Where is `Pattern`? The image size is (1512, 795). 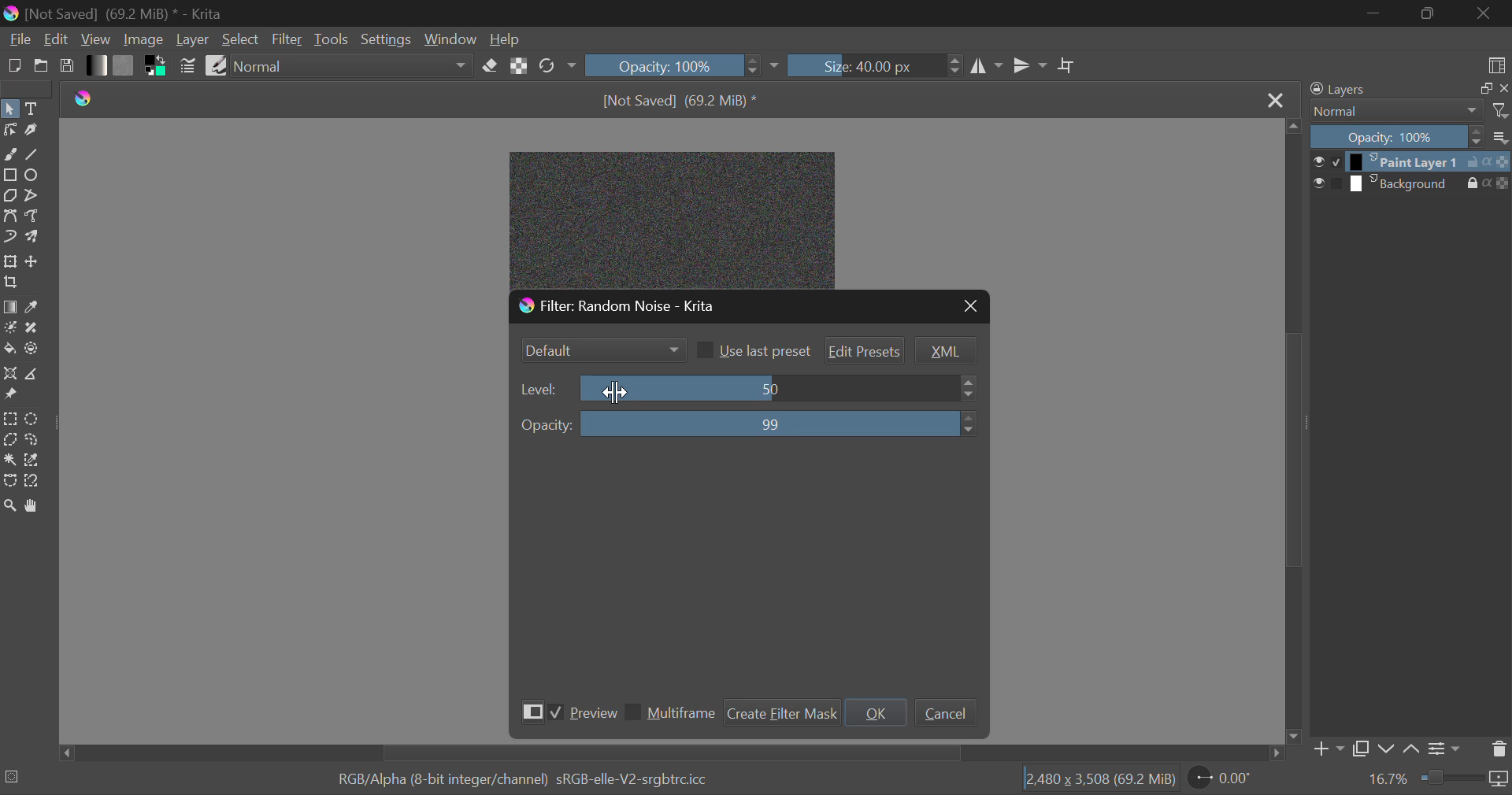 Pattern is located at coordinates (126, 65).